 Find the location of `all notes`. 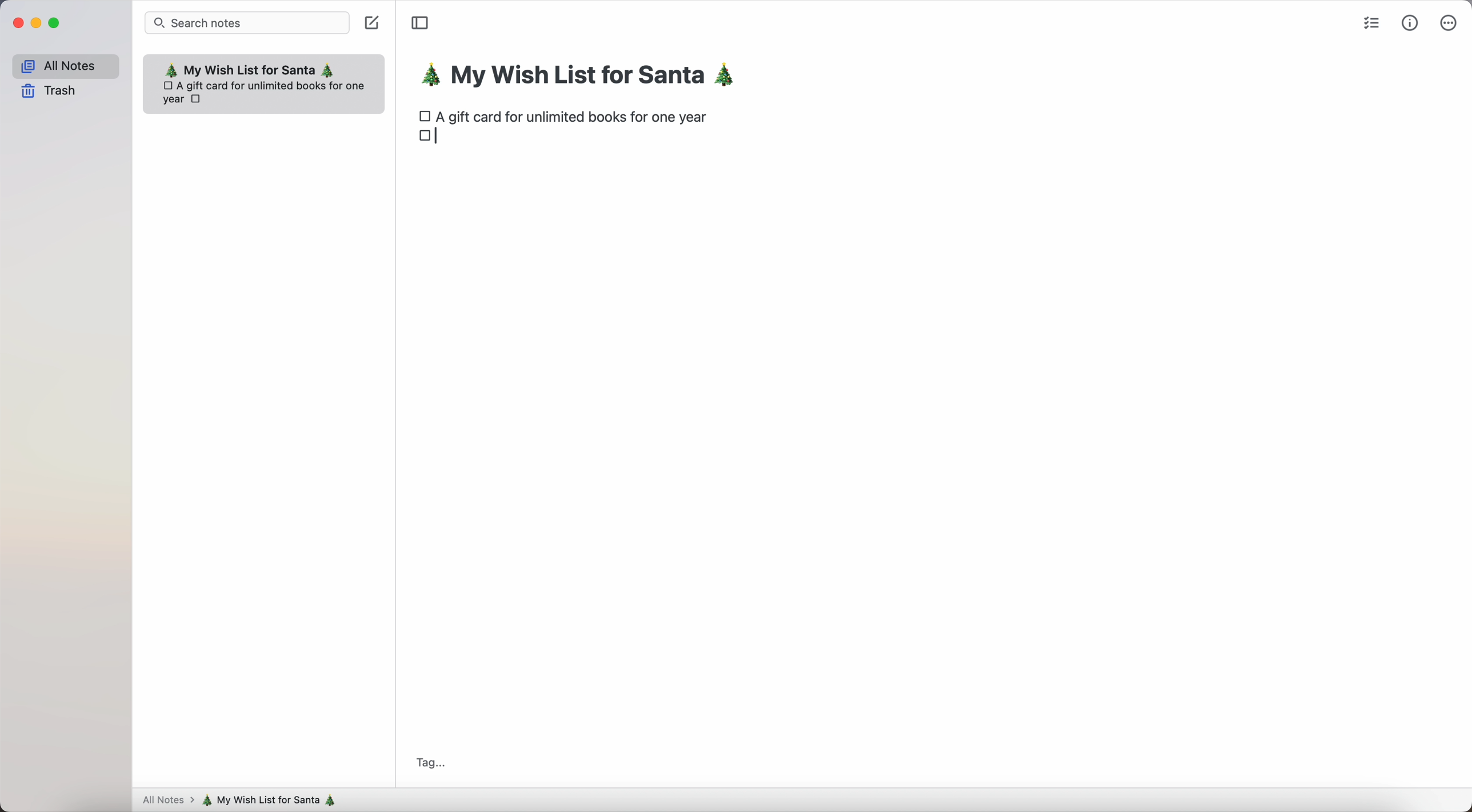

all notes is located at coordinates (166, 801).